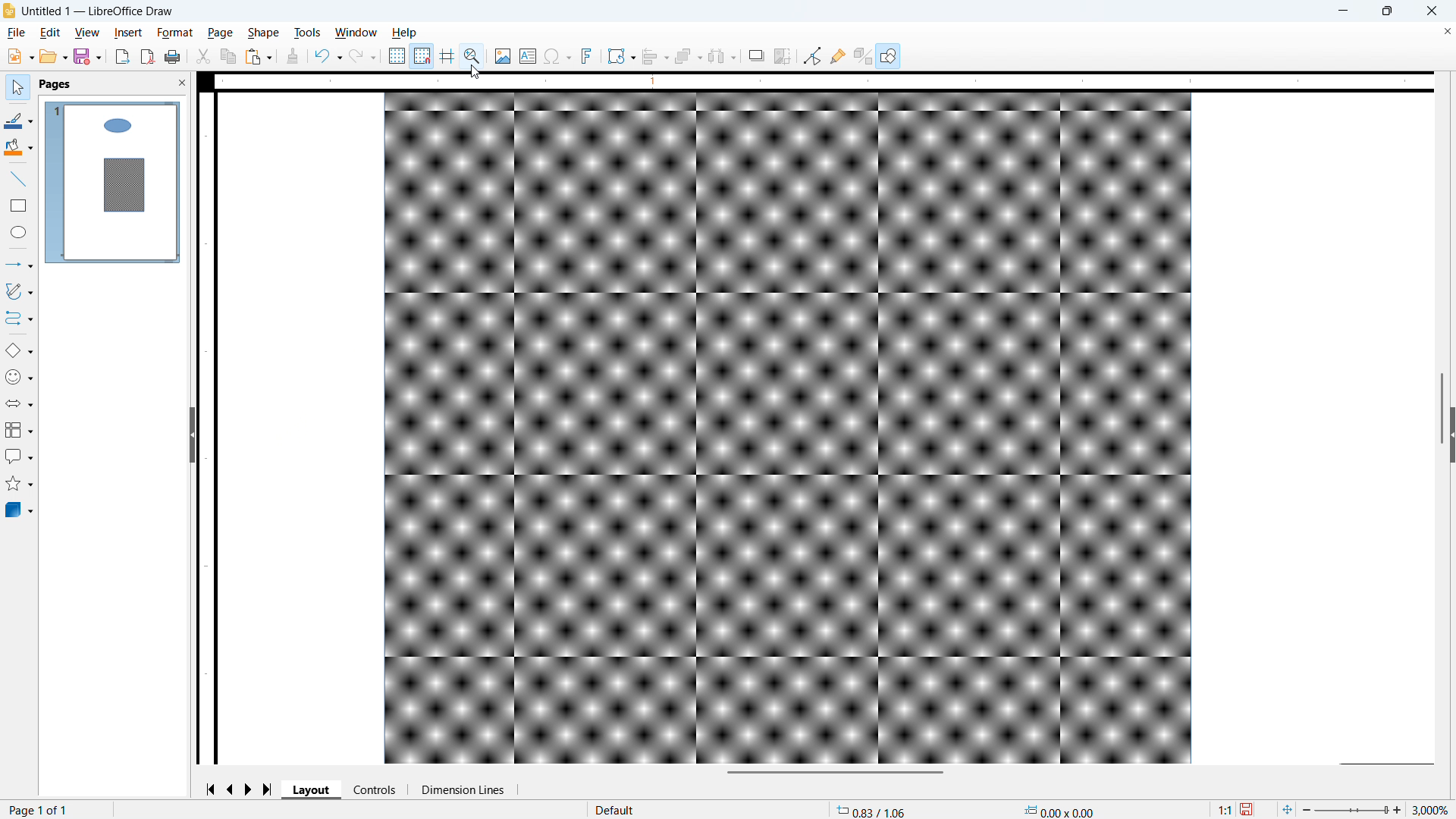 The height and width of the screenshot is (819, 1456). Describe the element at coordinates (20, 264) in the screenshot. I see `Lines and arrows ` at that location.